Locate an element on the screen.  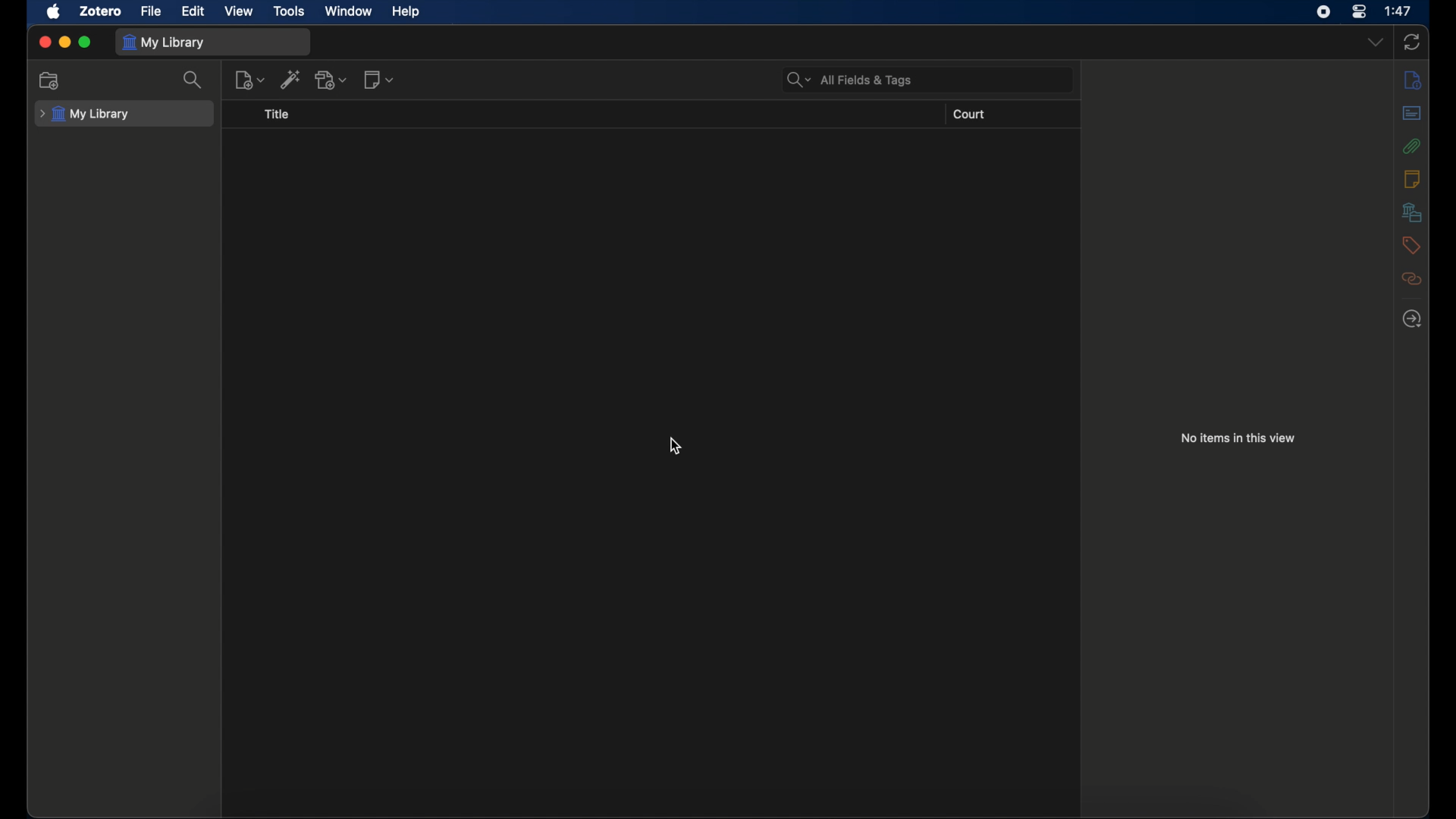
new item is located at coordinates (249, 80).